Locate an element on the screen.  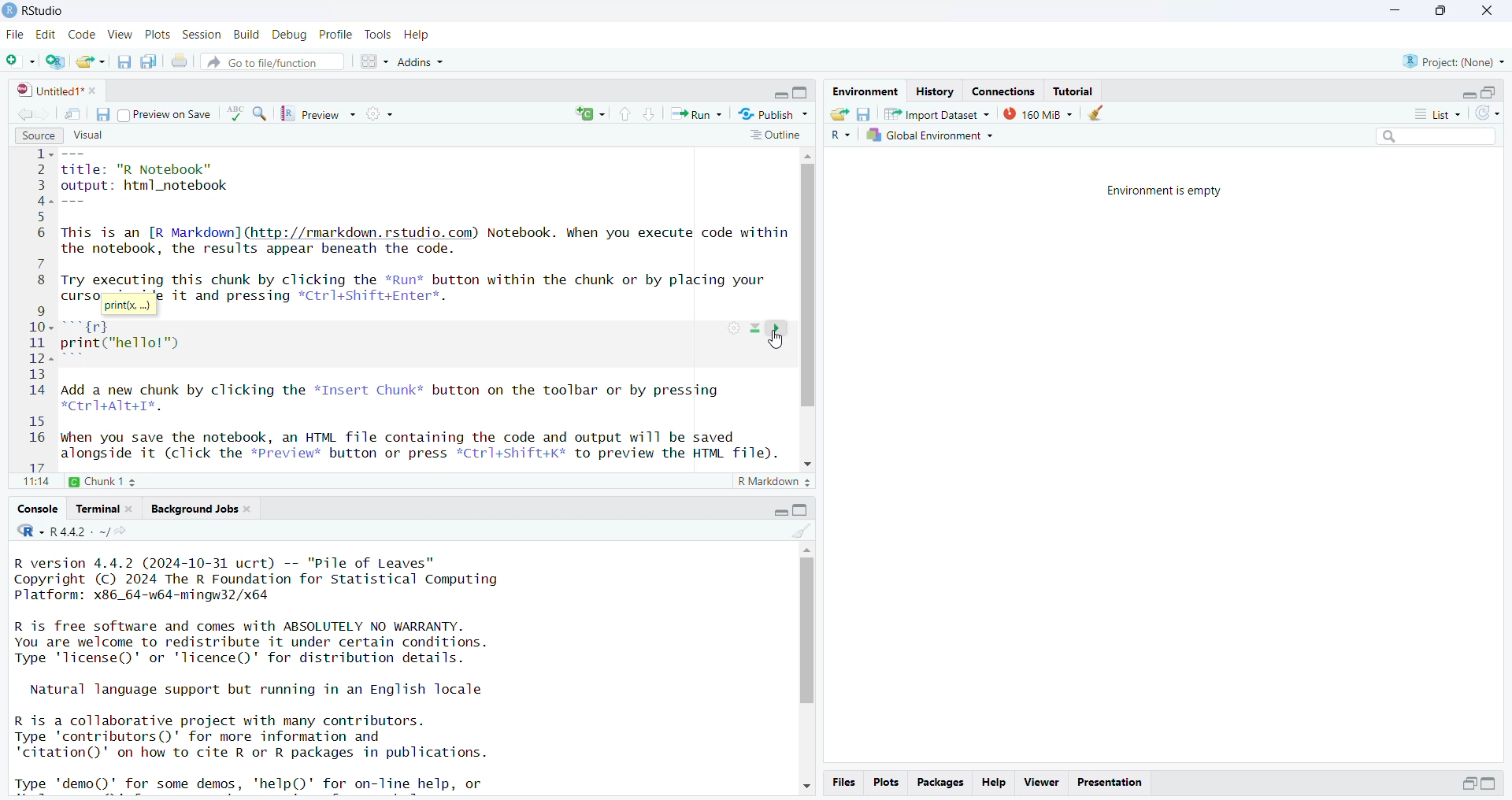
code is located at coordinates (83, 34).